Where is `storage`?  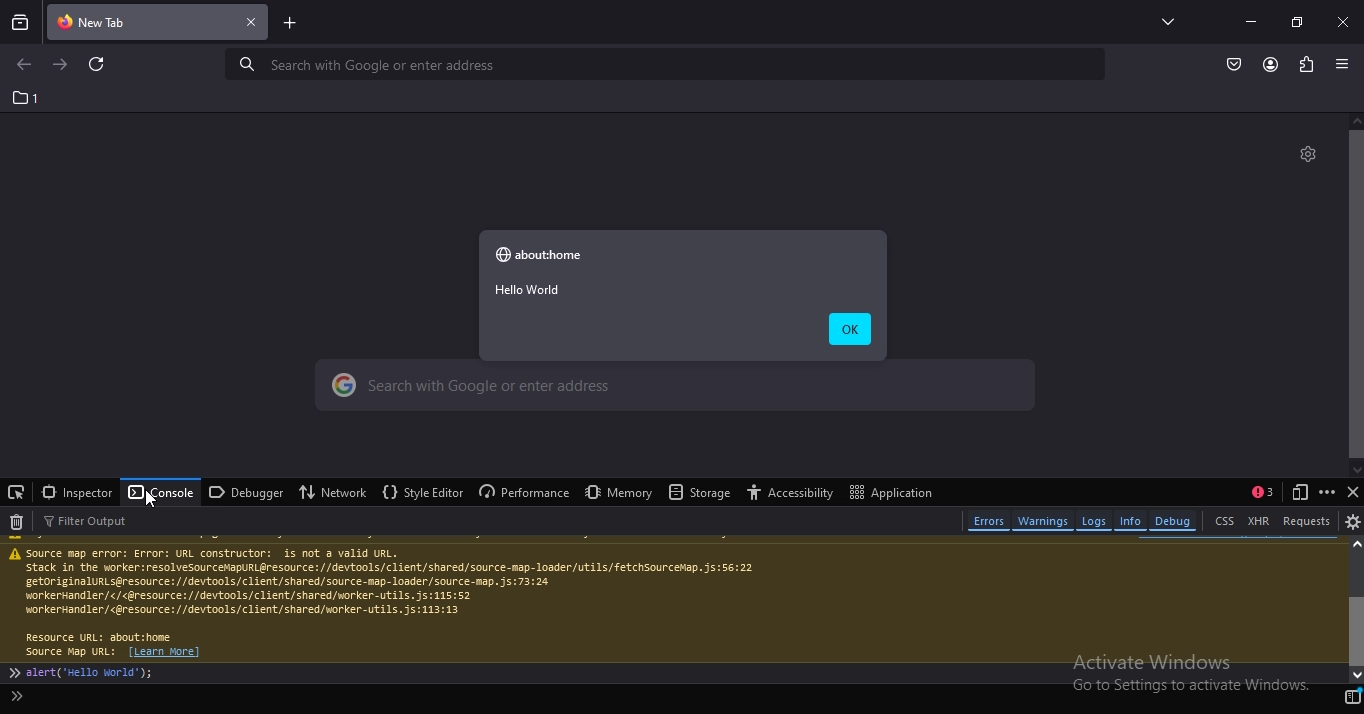
storage is located at coordinates (701, 493).